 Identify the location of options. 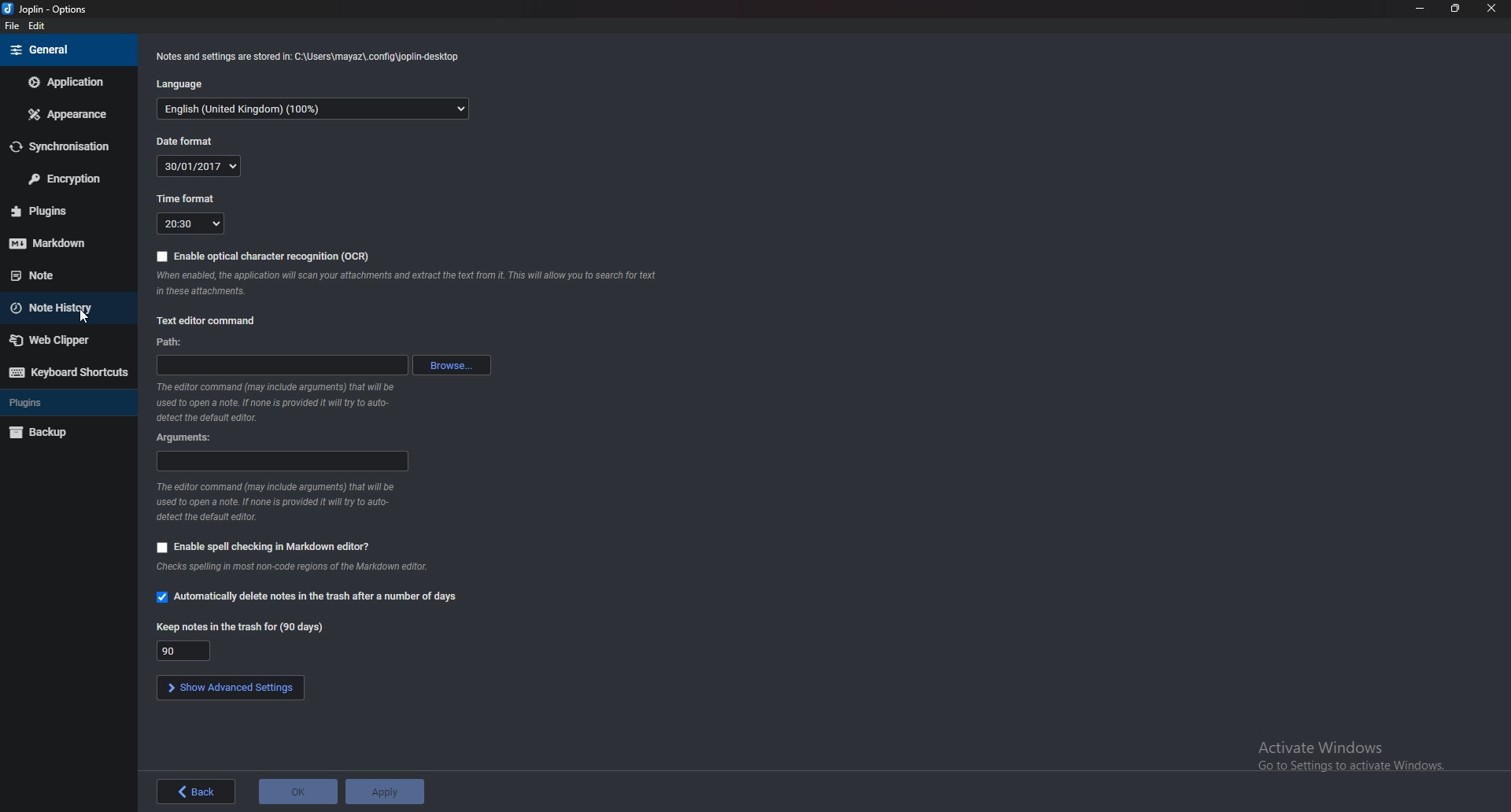
(50, 9).